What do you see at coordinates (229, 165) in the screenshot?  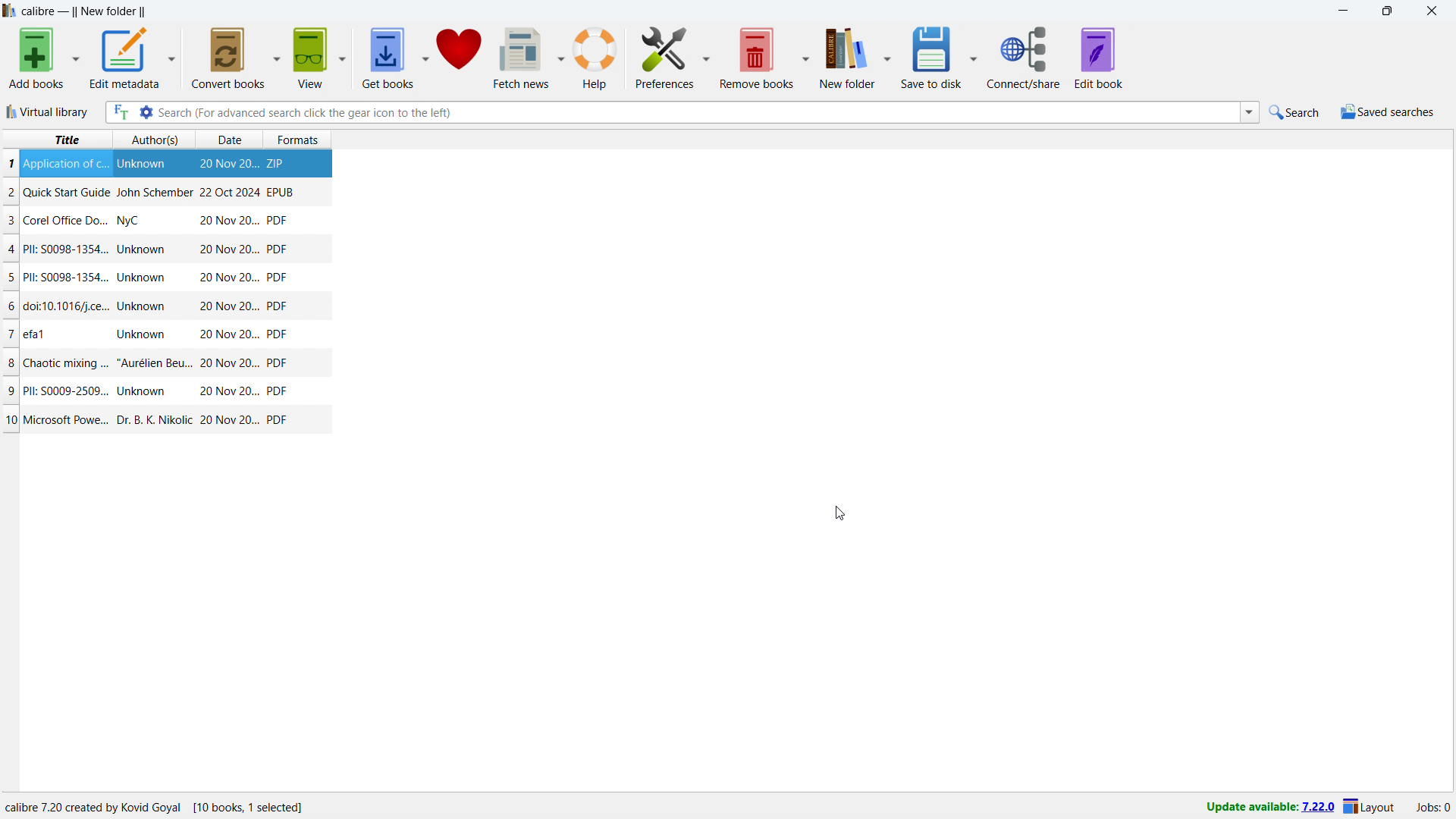 I see `Date` at bounding box center [229, 165].